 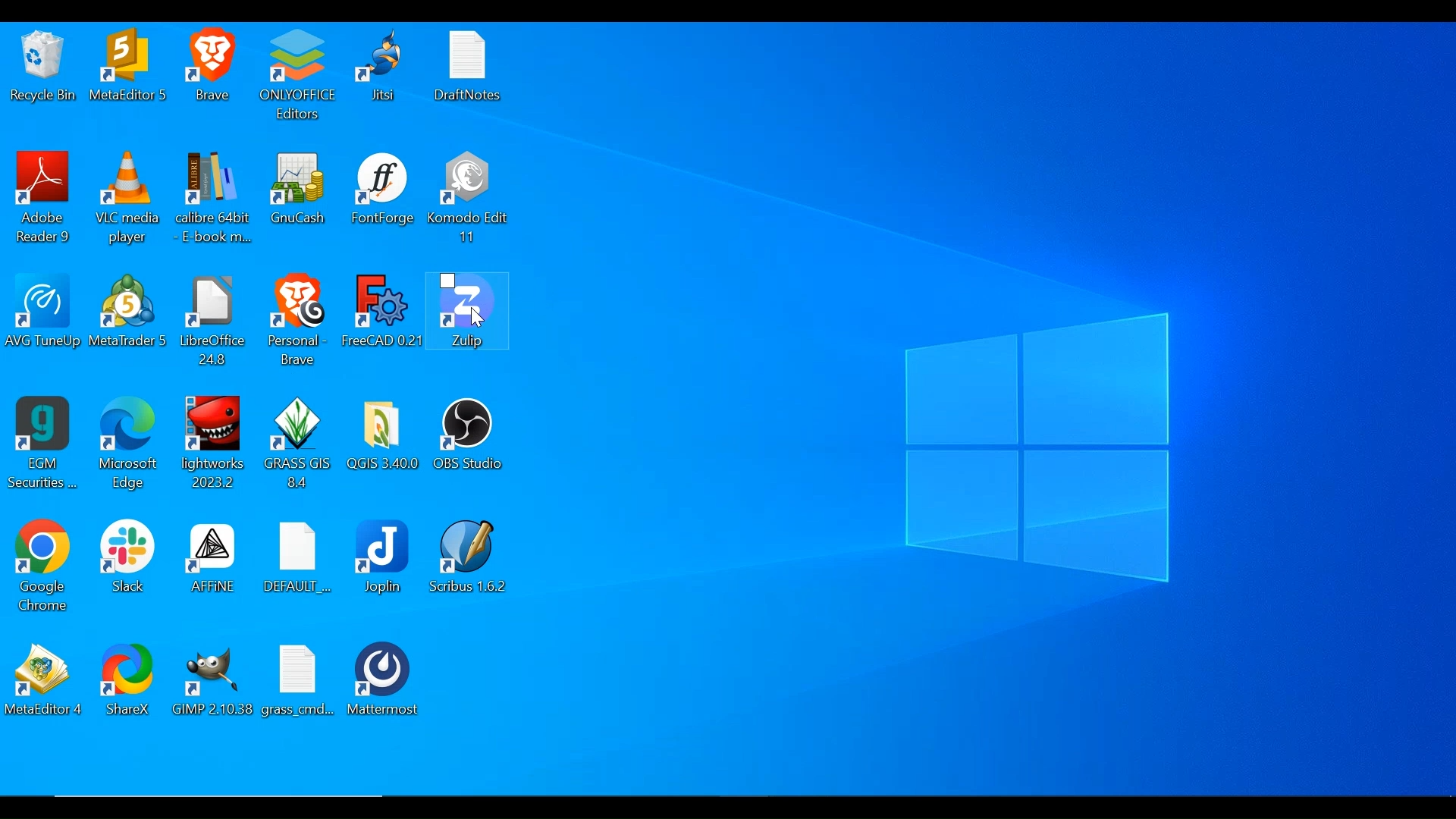 I want to click on Default Desktop icon, so click(x=303, y=559).